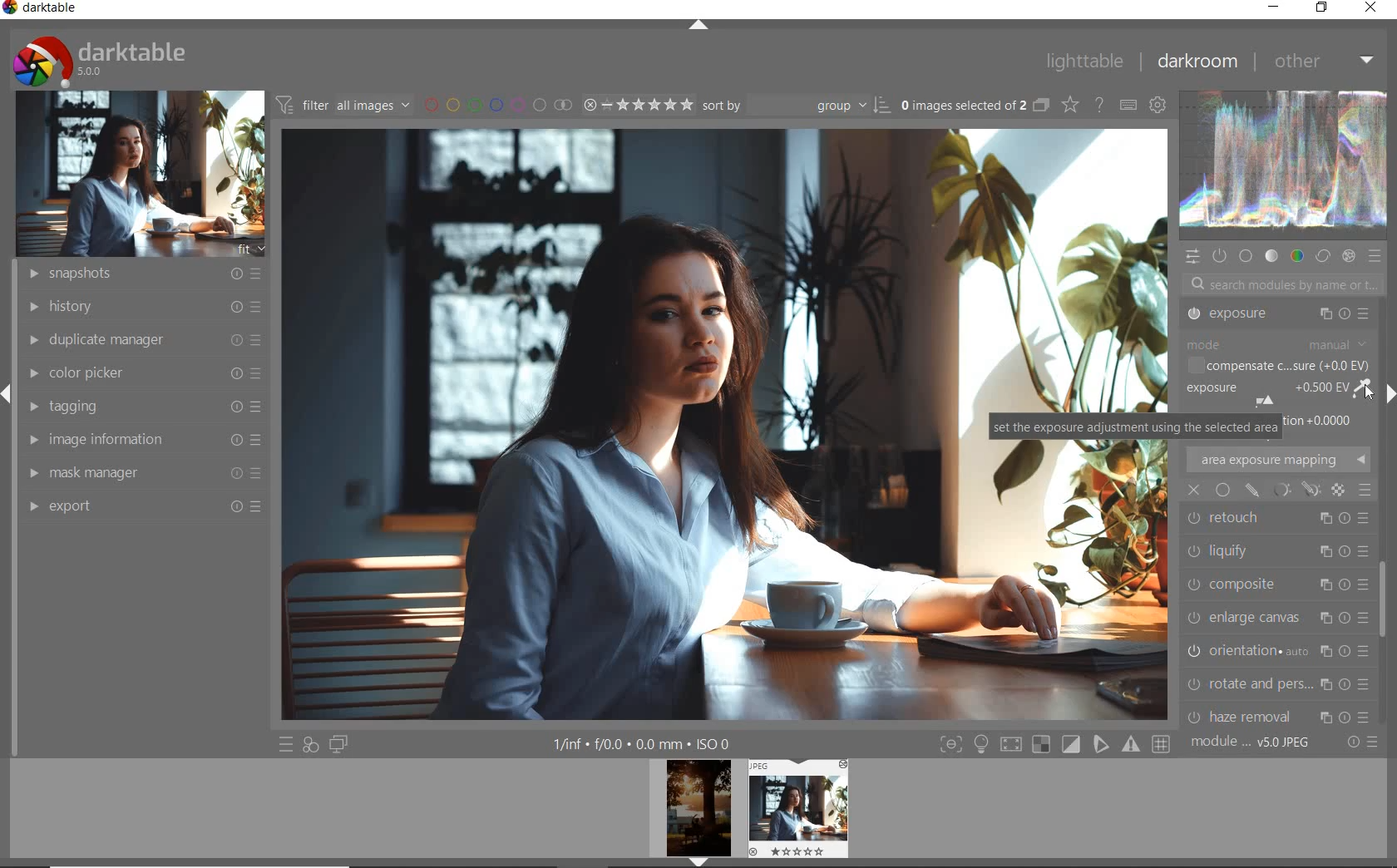 The width and height of the screenshot is (1397, 868). What do you see at coordinates (141, 472) in the screenshot?
I see `MASK MANAGER` at bounding box center [141, 472].